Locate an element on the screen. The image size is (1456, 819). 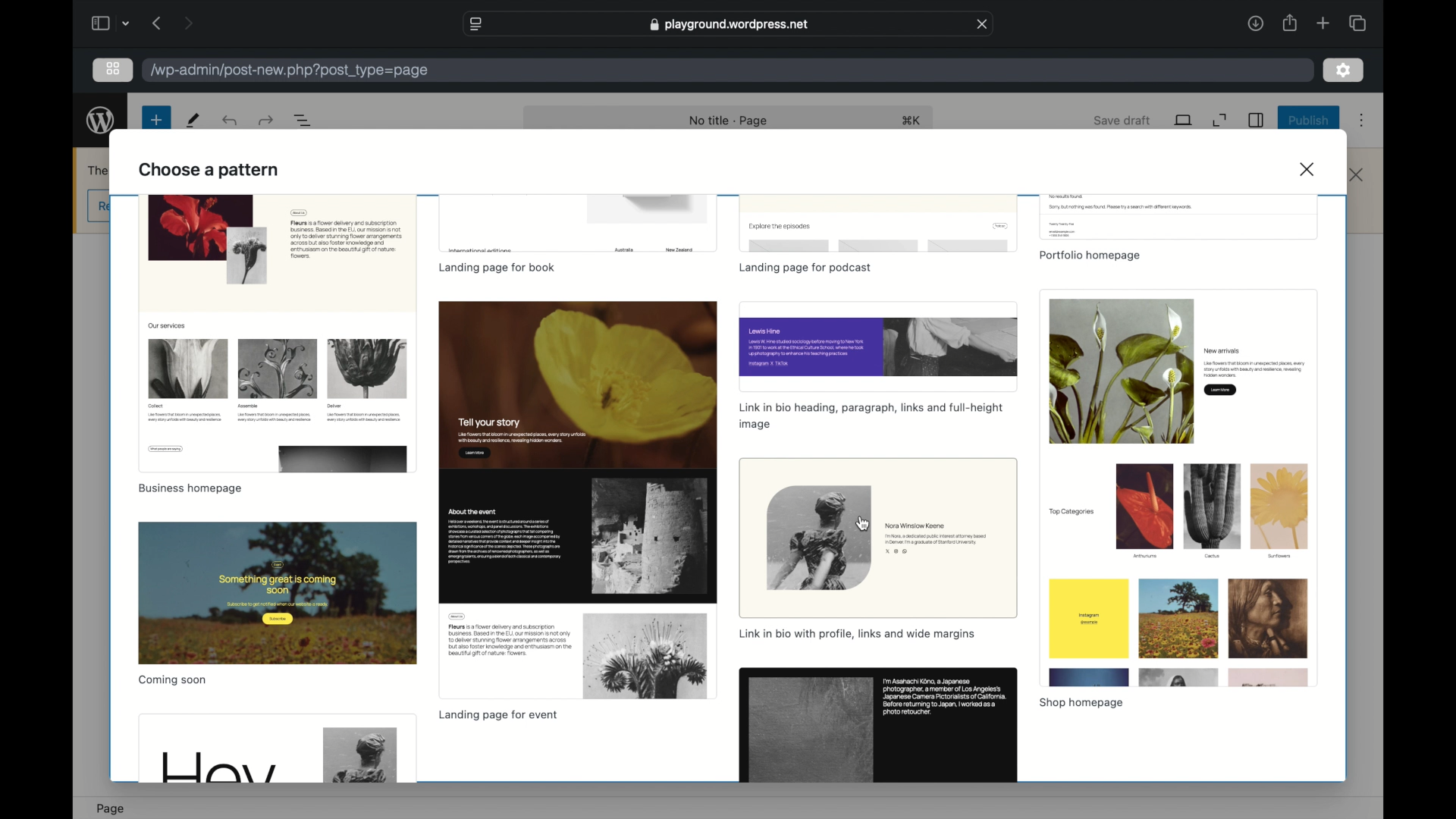
choose a pattern is located at coordinates (211, 168).